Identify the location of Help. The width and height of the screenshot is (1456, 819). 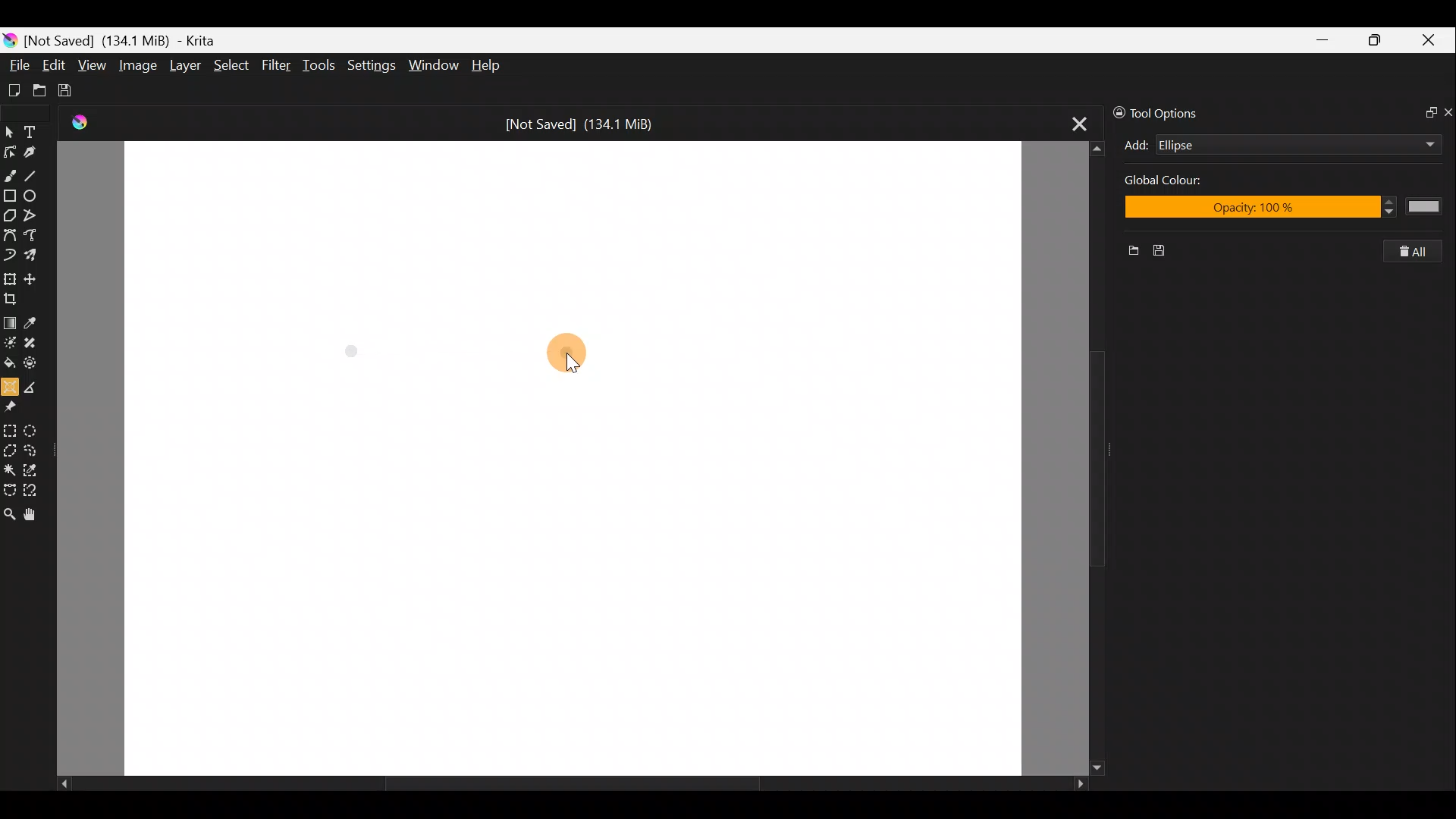
(487, 66).